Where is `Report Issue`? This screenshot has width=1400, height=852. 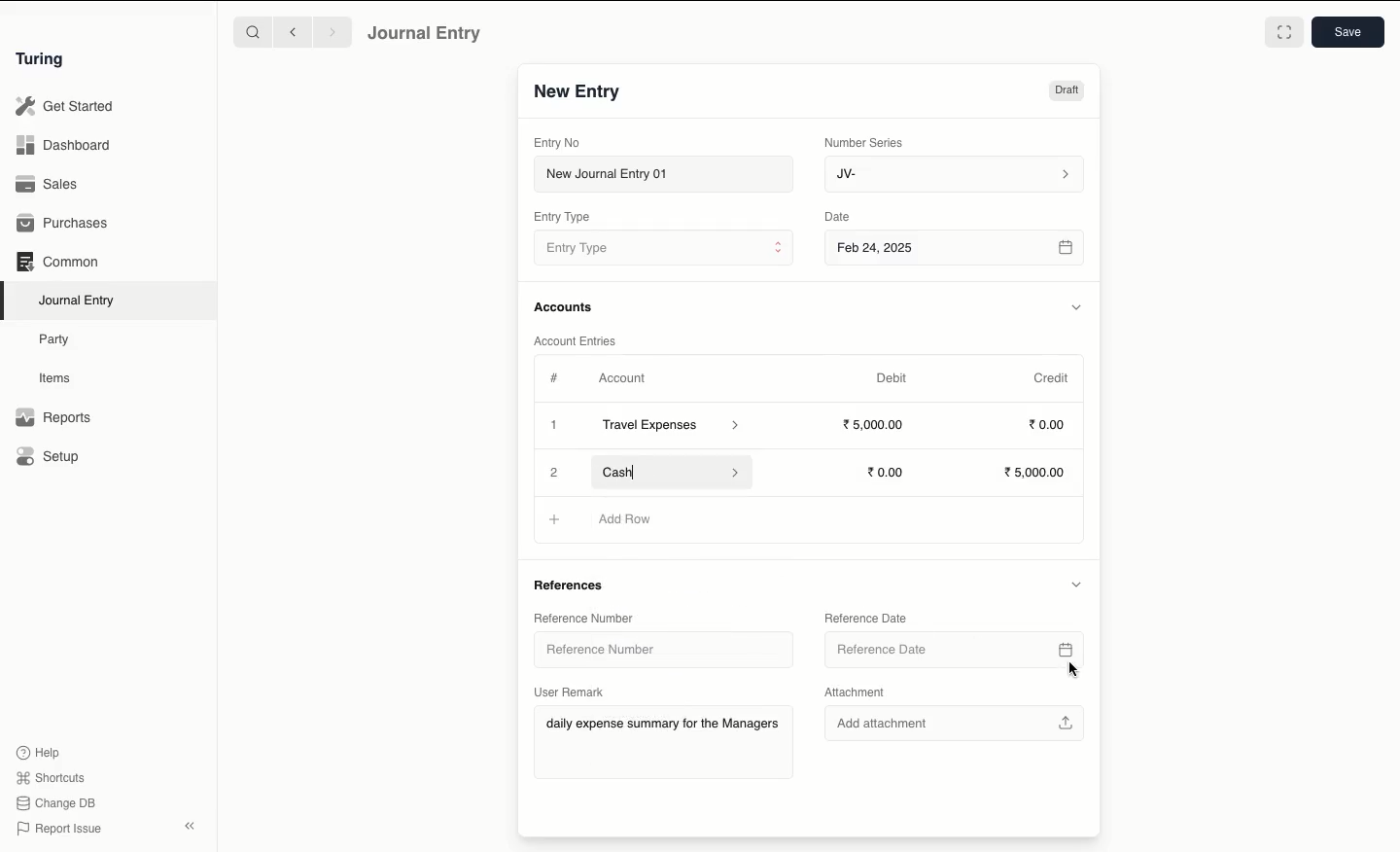
Report Issue is located at coordinates (61, 830).